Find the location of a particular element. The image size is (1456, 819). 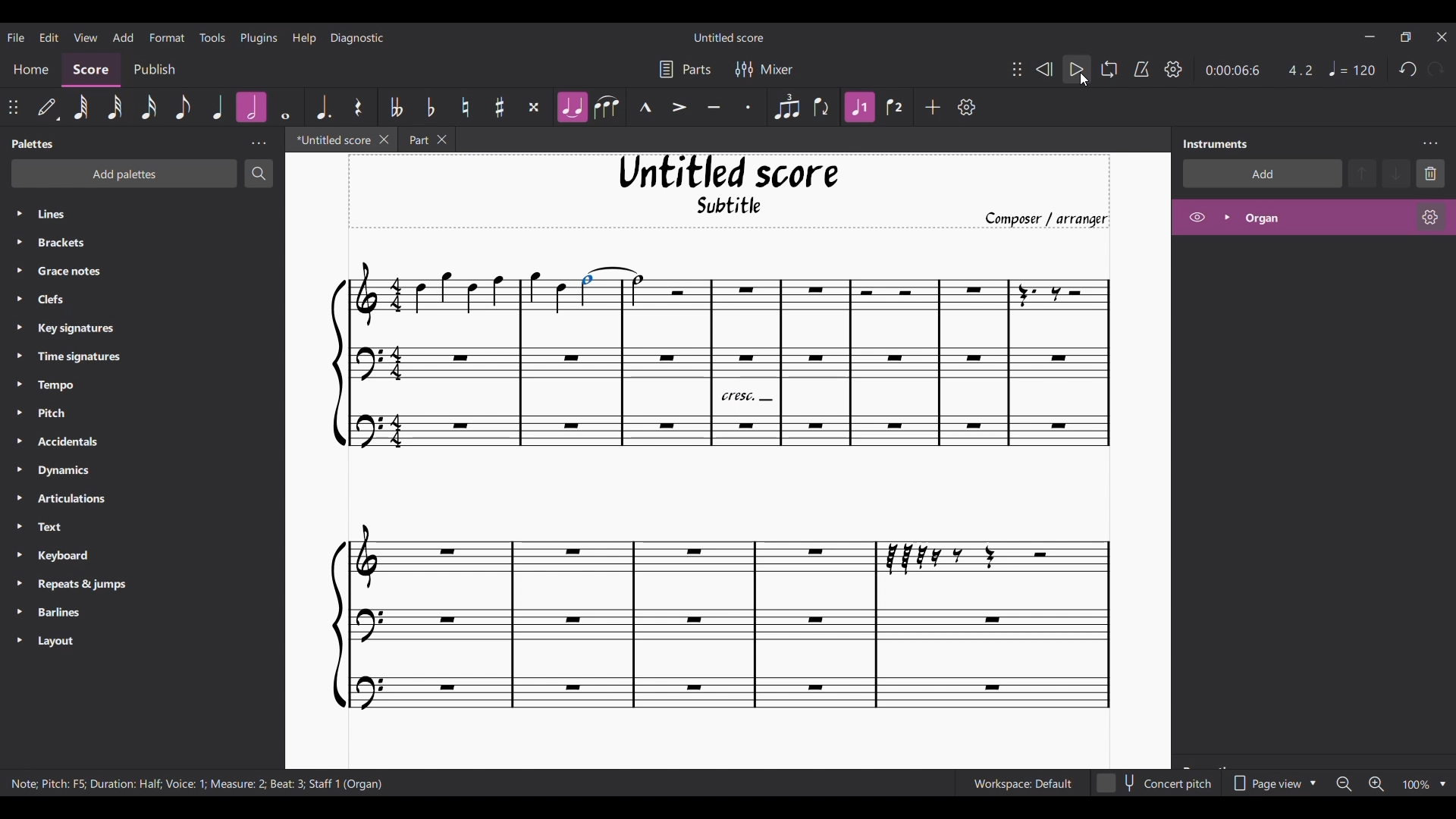

Edit menu is located at coordinates (49, 36).